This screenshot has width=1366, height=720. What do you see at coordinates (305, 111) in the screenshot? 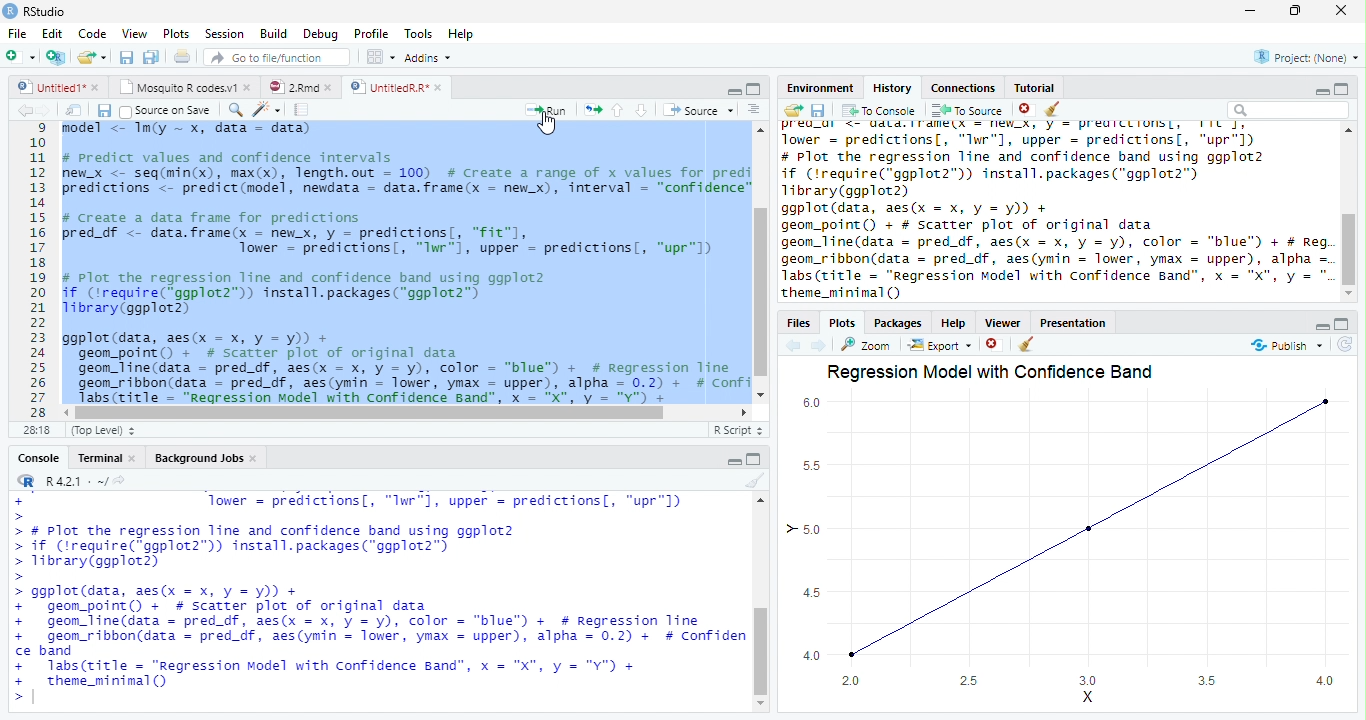
I see `Pages` at bounding box center [305, 111].